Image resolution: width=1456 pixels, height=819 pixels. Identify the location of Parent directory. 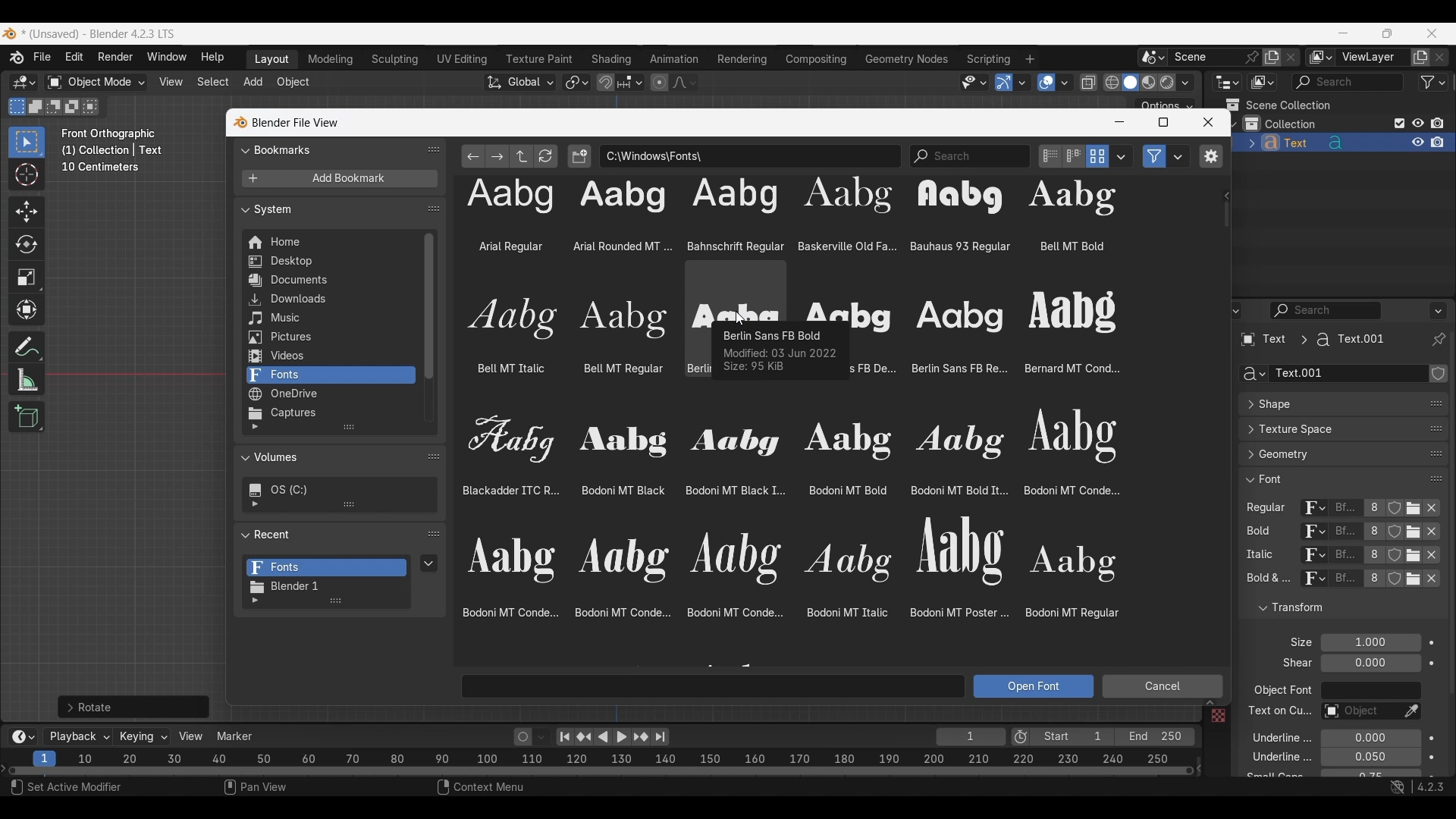
(522, 156).